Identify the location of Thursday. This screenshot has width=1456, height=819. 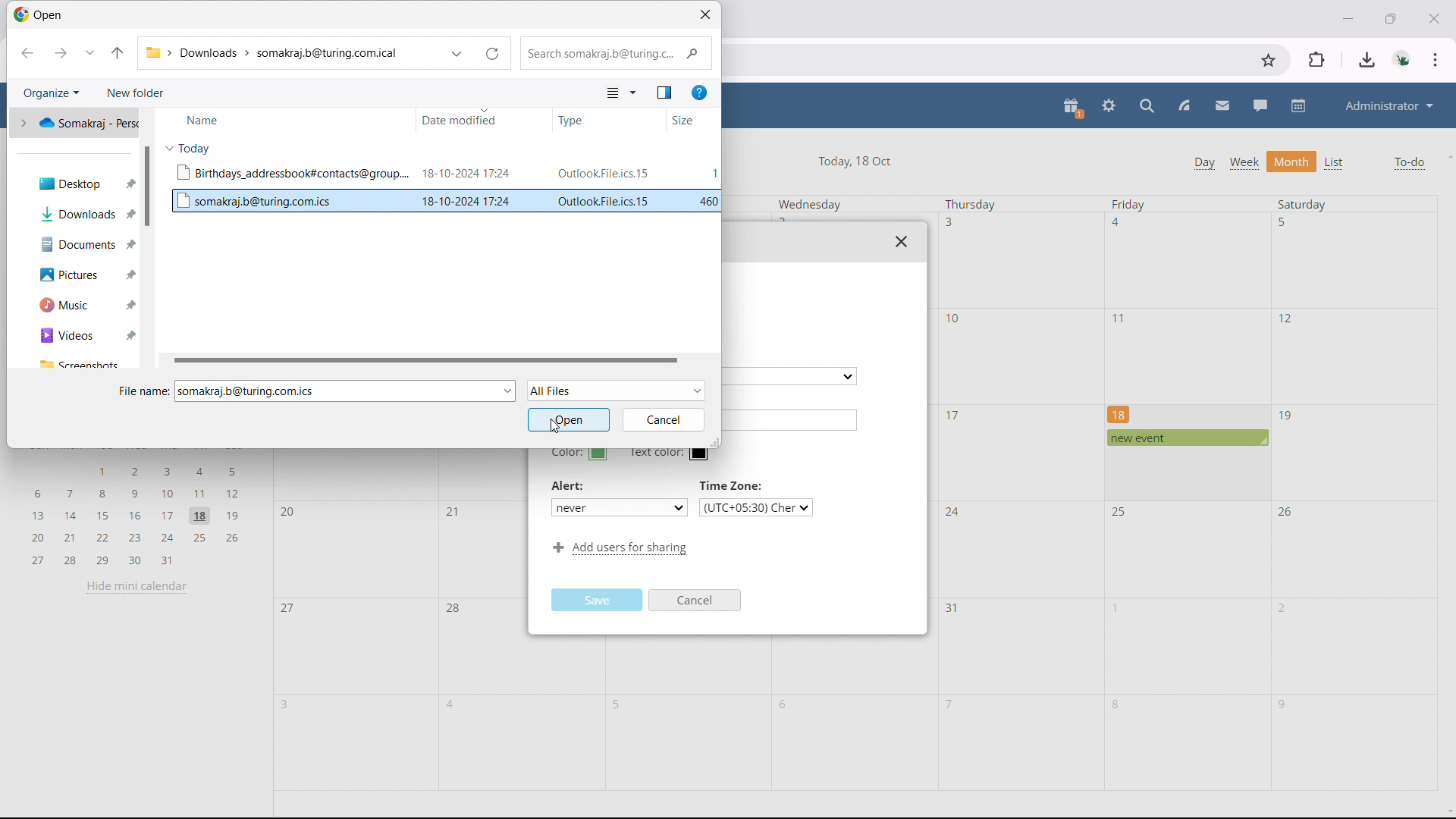
(971, 205).